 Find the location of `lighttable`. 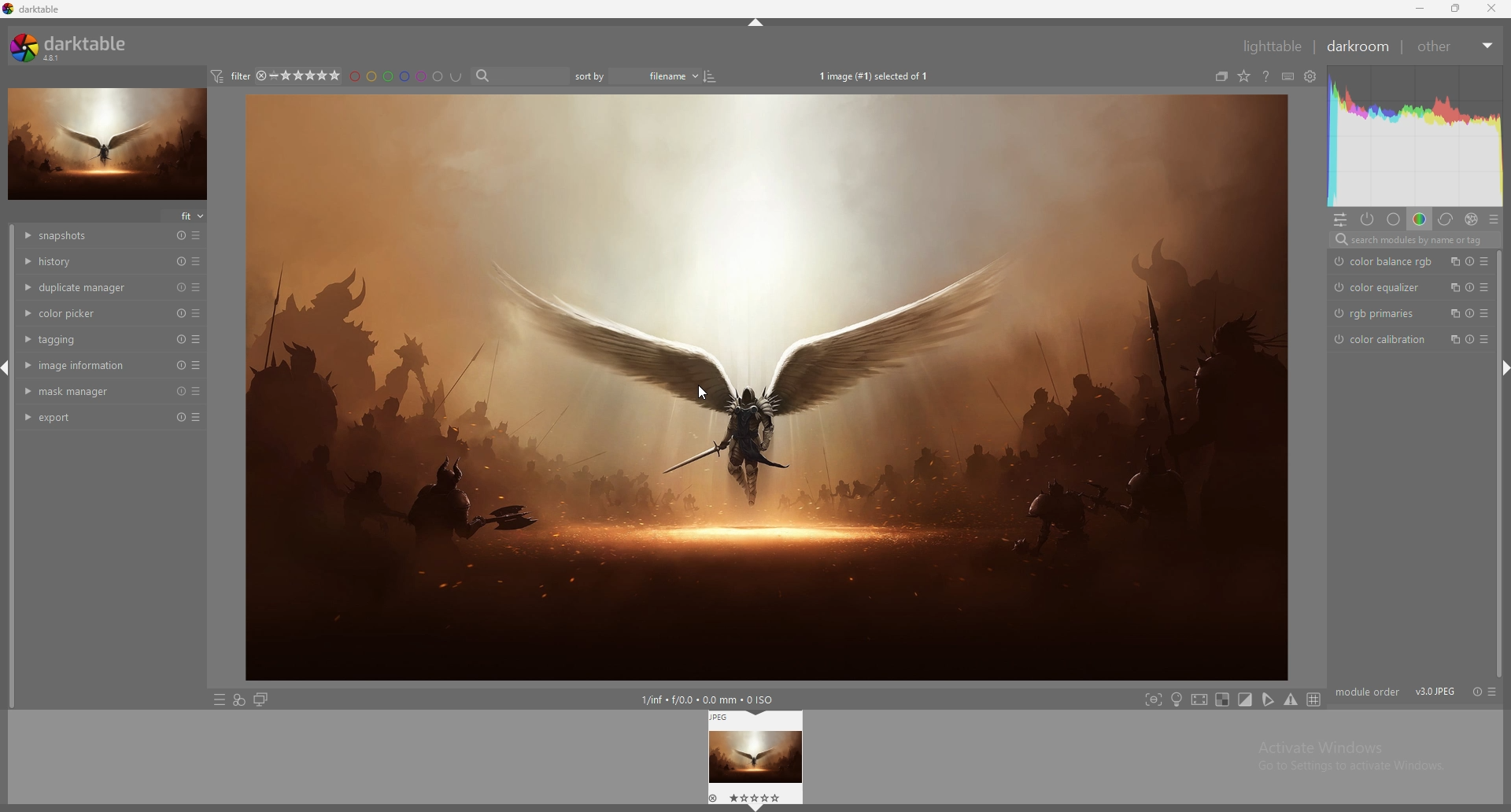

lighttable is located at coordinates (1268, 46).